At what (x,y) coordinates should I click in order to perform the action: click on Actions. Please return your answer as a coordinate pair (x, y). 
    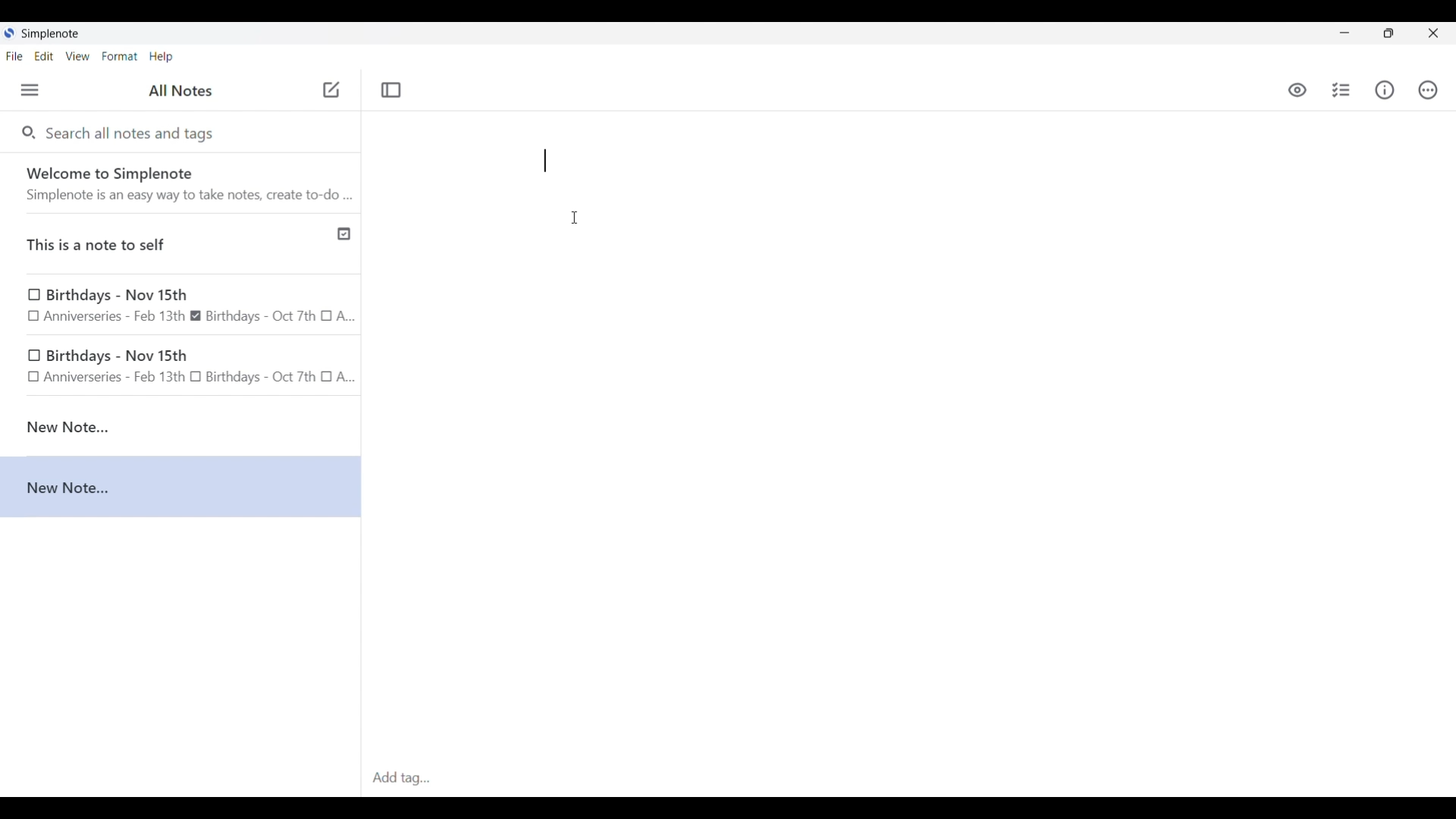
    Looking at the image, I should click on (1427, 90).